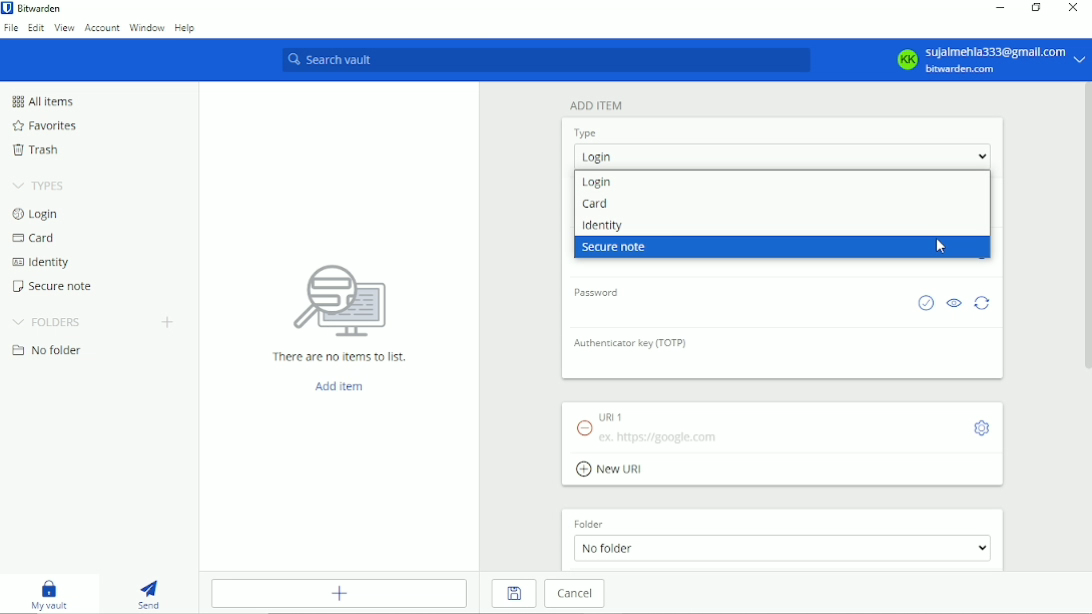 The height and width of the screenshot is (614, 1092). I want to click on Login, so click(37, 213).